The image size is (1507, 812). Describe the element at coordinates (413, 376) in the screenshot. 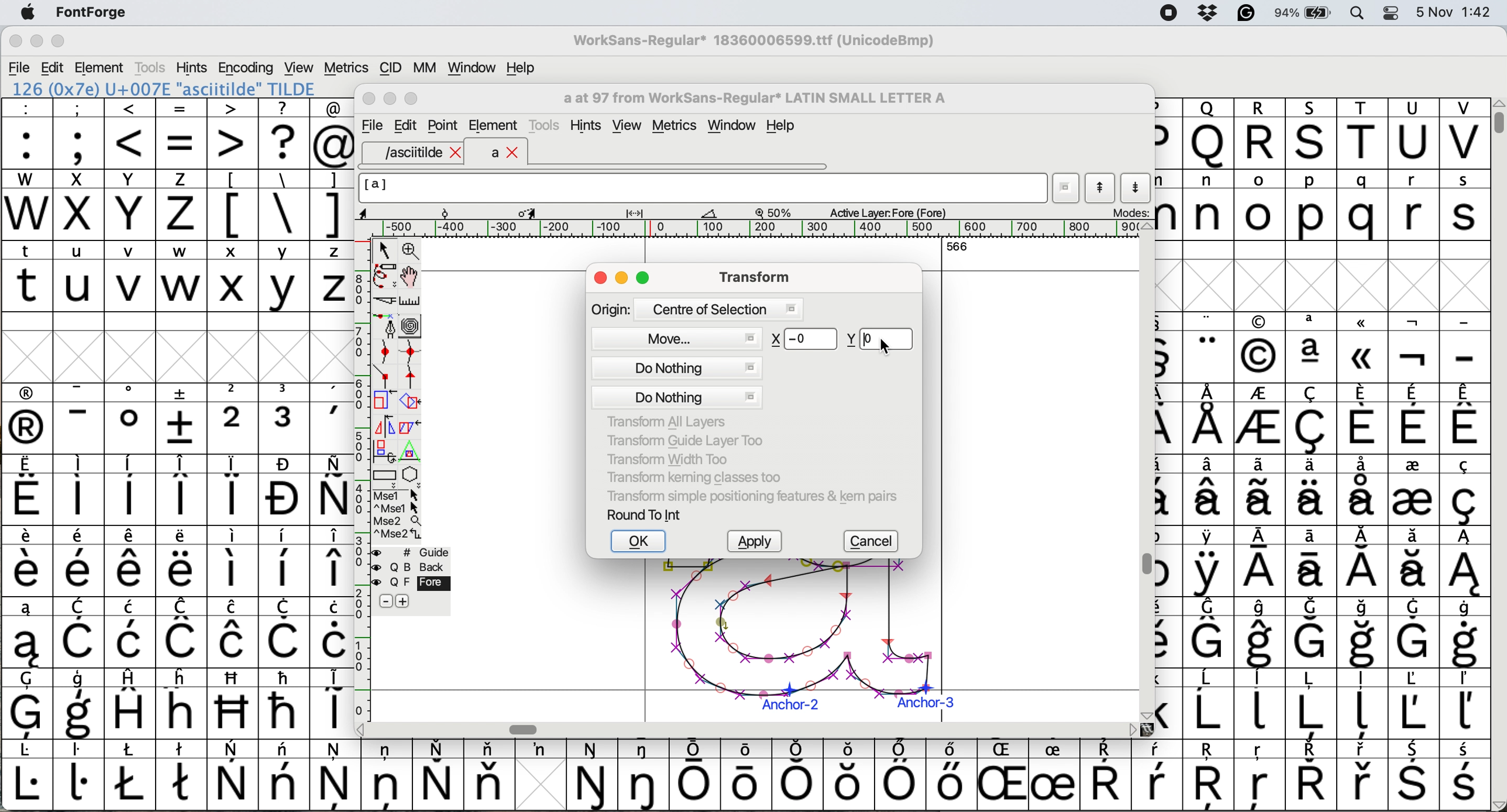

I see `add a tangent point` at that location.